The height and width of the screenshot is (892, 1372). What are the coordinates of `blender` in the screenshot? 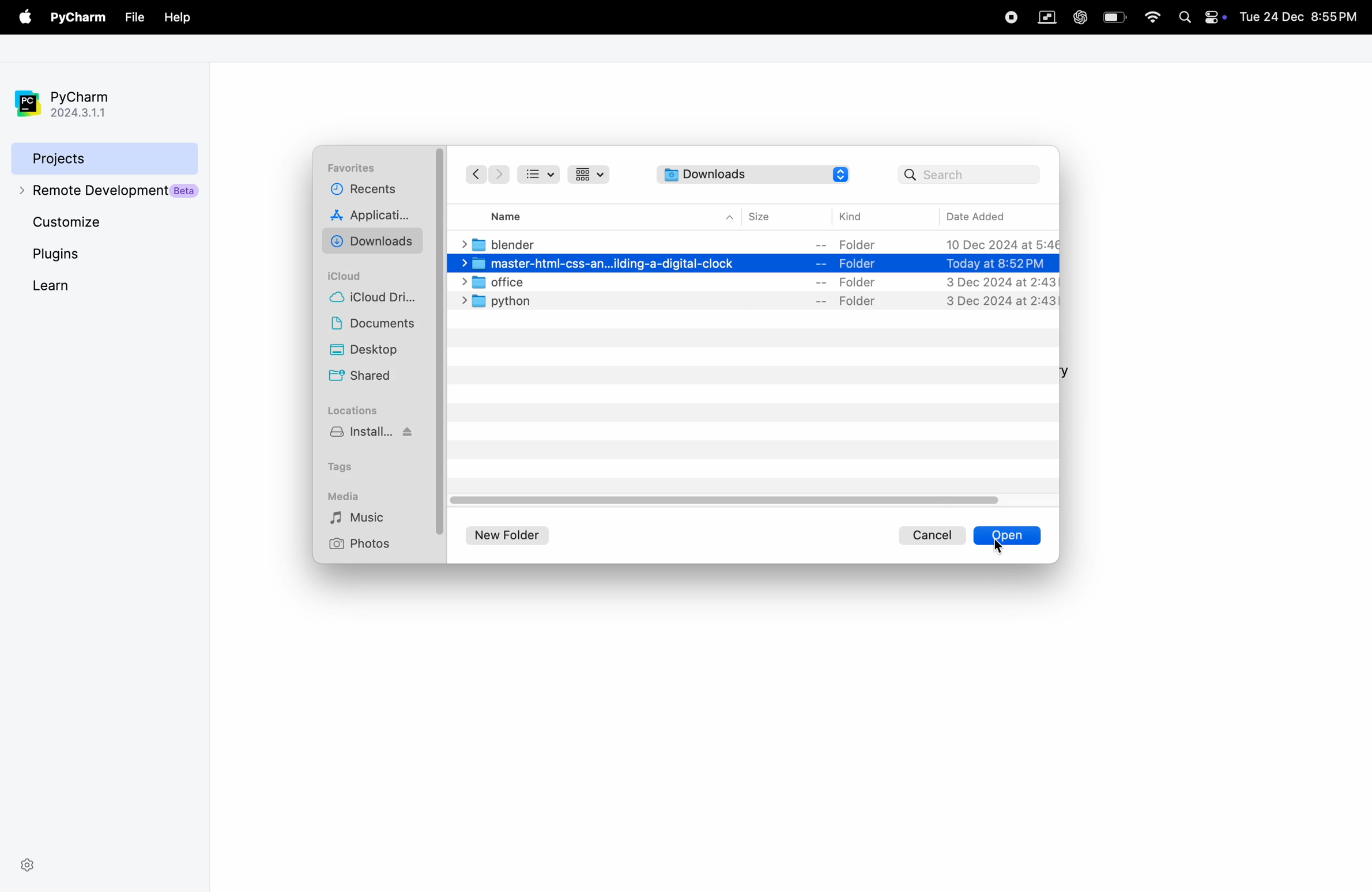 It's located at (760, 244).